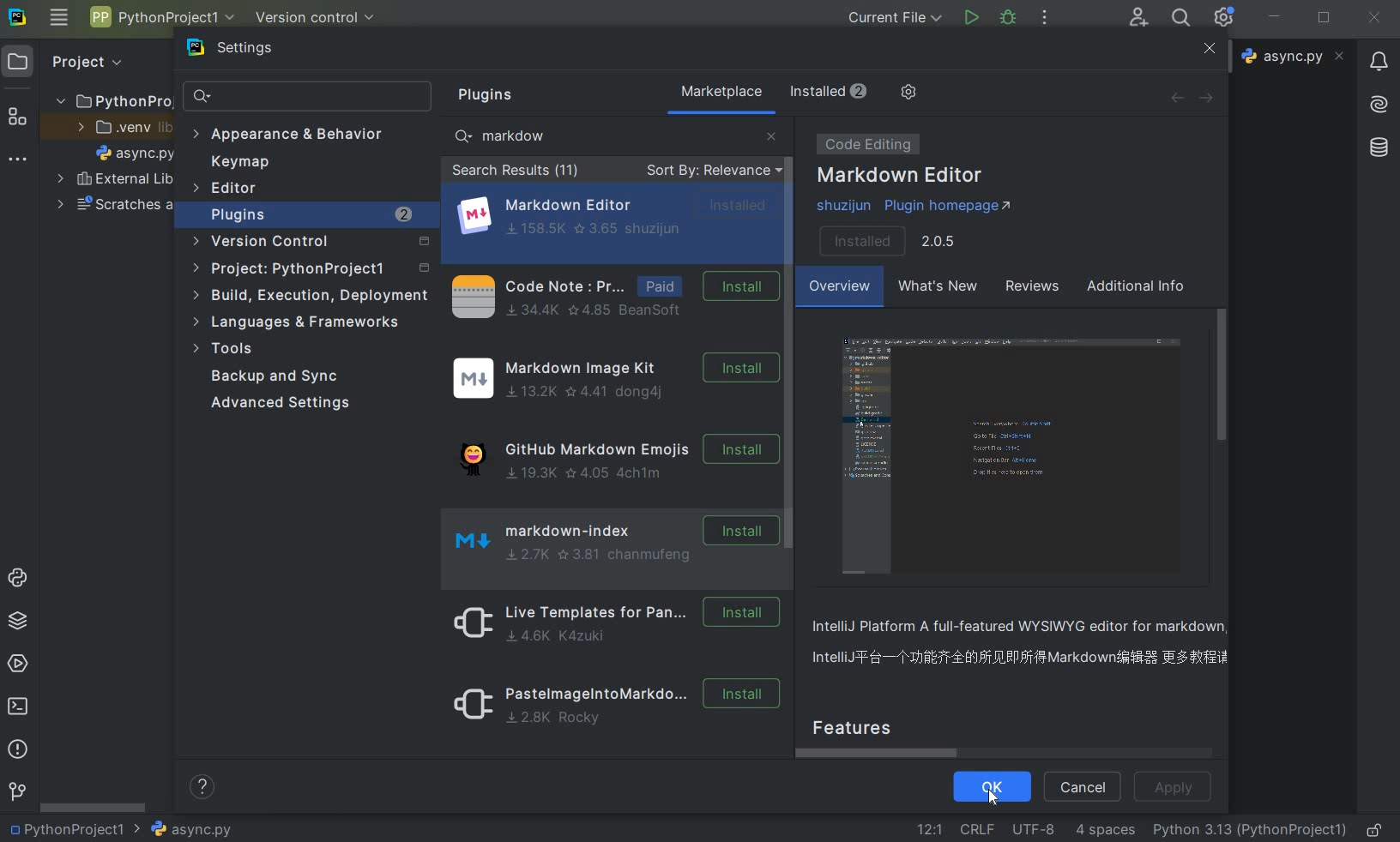 The width and height of the screenshot is (1400, 842). I want to click on appearance & behavior, so click(288, 135).